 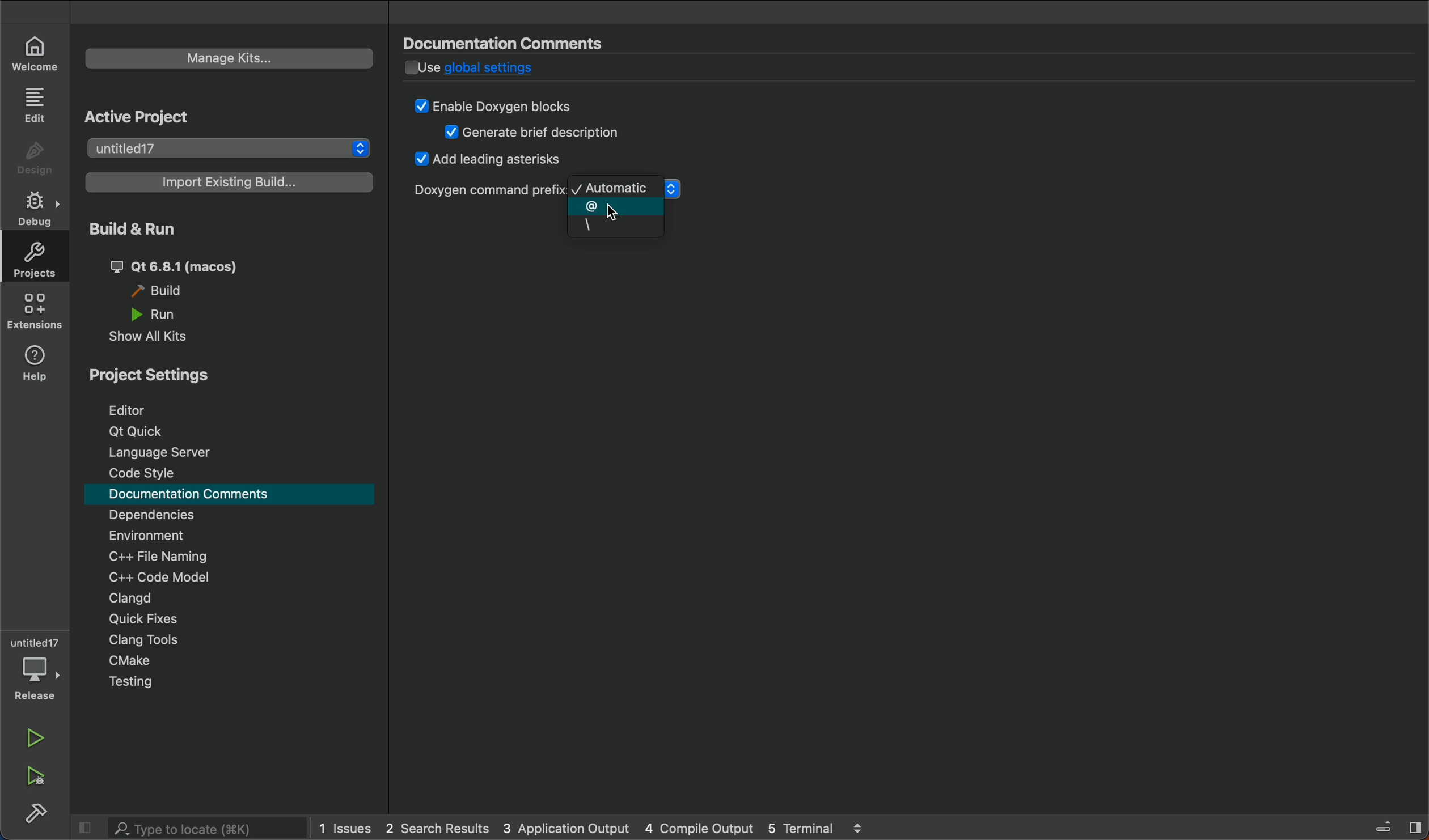 What do you see at coordinates (196, 495) in the screenshot?
I see `documentation` at bounding box center [196, 495].